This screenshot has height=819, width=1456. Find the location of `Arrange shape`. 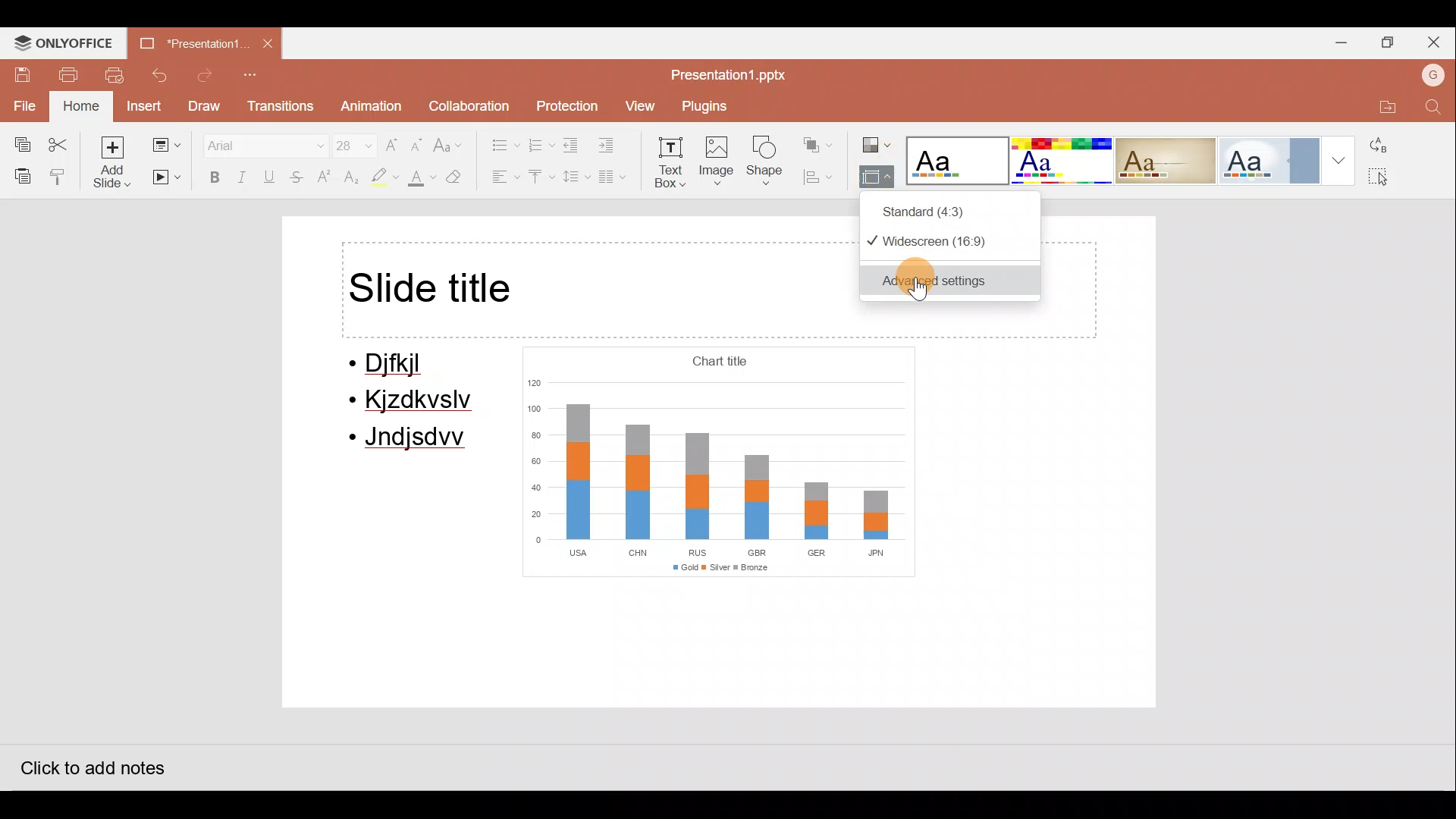

Arrange shape is located at coordinates (820, 140).